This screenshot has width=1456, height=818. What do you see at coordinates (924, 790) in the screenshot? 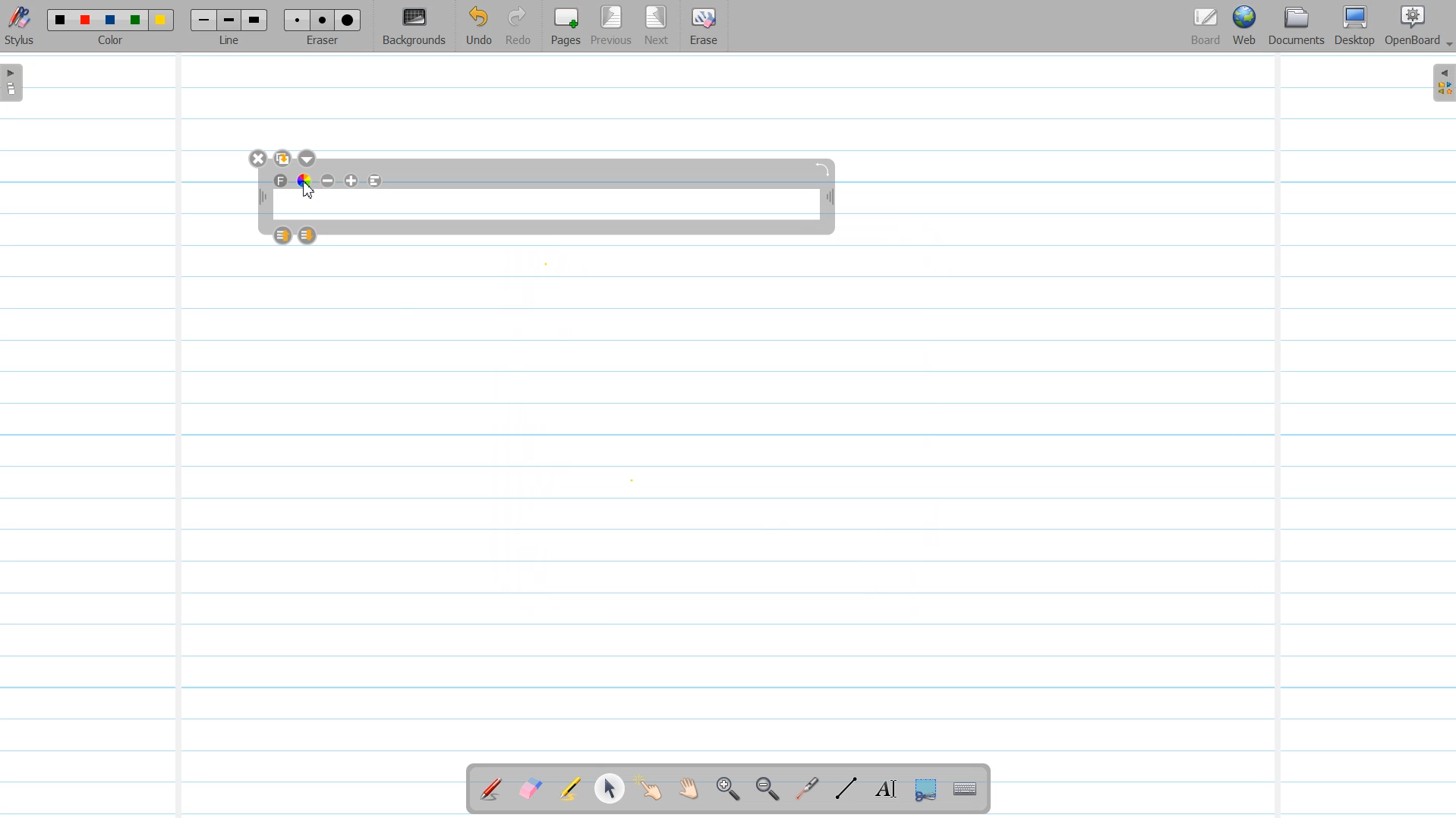
I see `Capture part of the screen` at bounding box center [924, 790].